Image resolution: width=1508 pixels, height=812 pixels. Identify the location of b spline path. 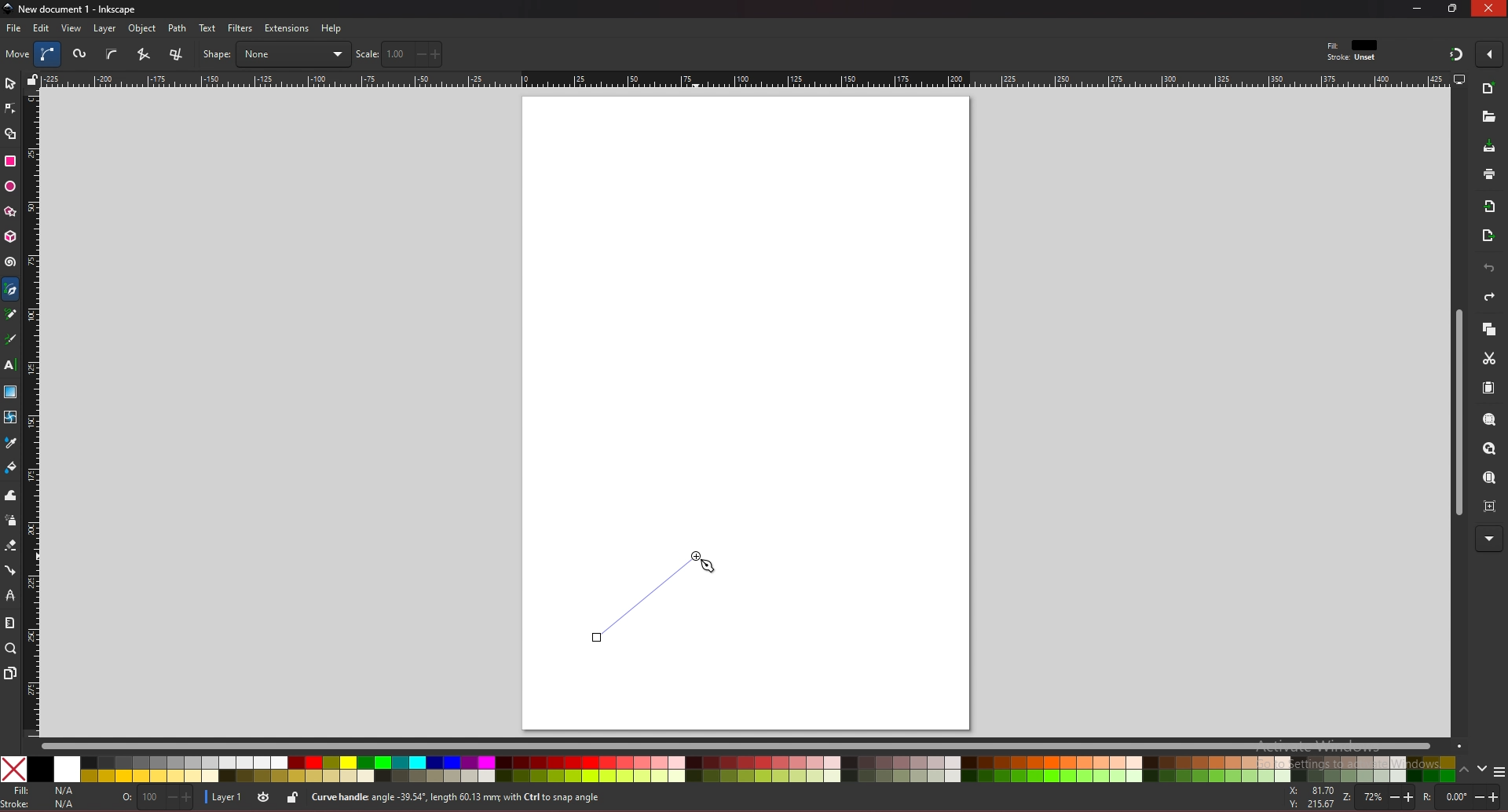
(112, 53).